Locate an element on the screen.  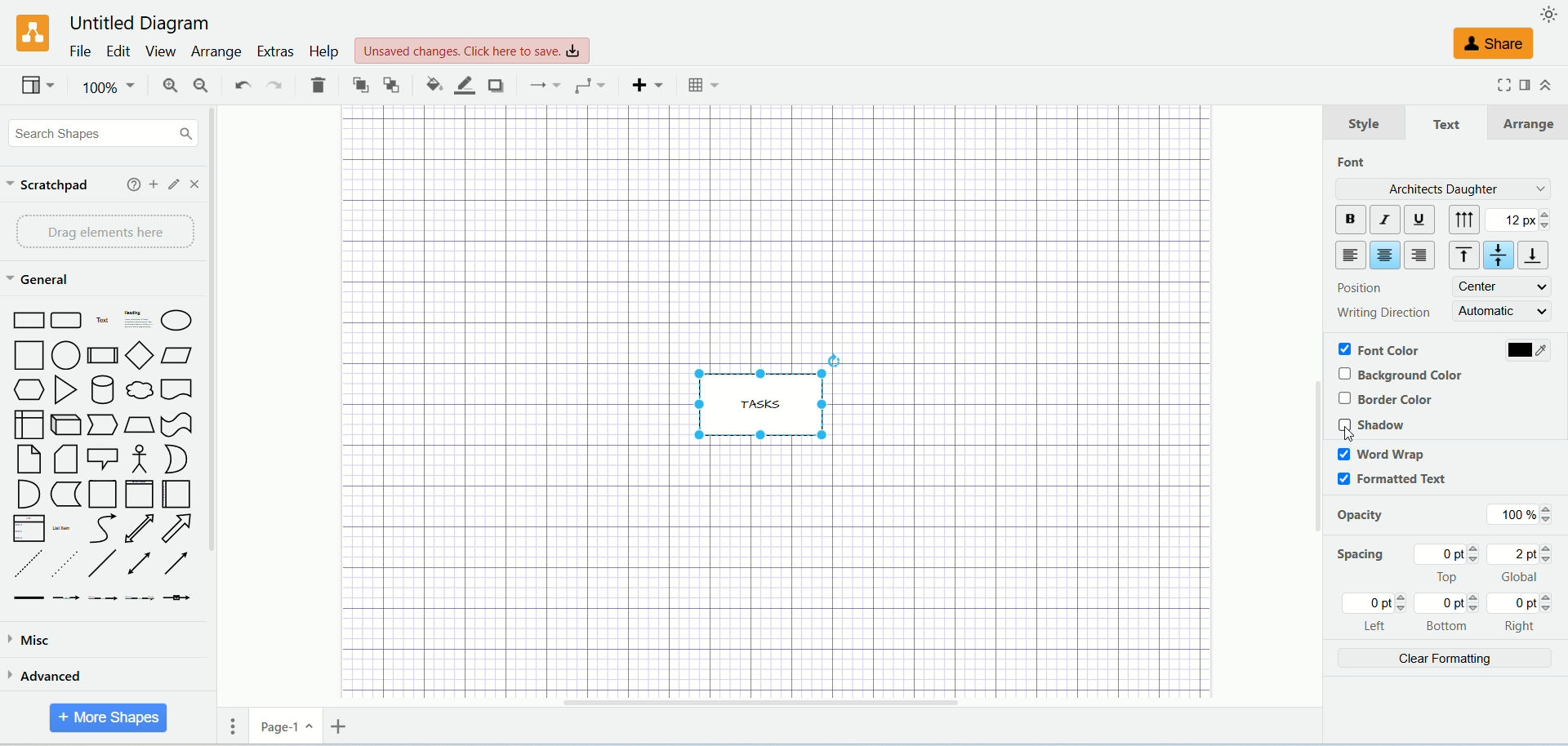
Text is located at coordinates (103, 318).